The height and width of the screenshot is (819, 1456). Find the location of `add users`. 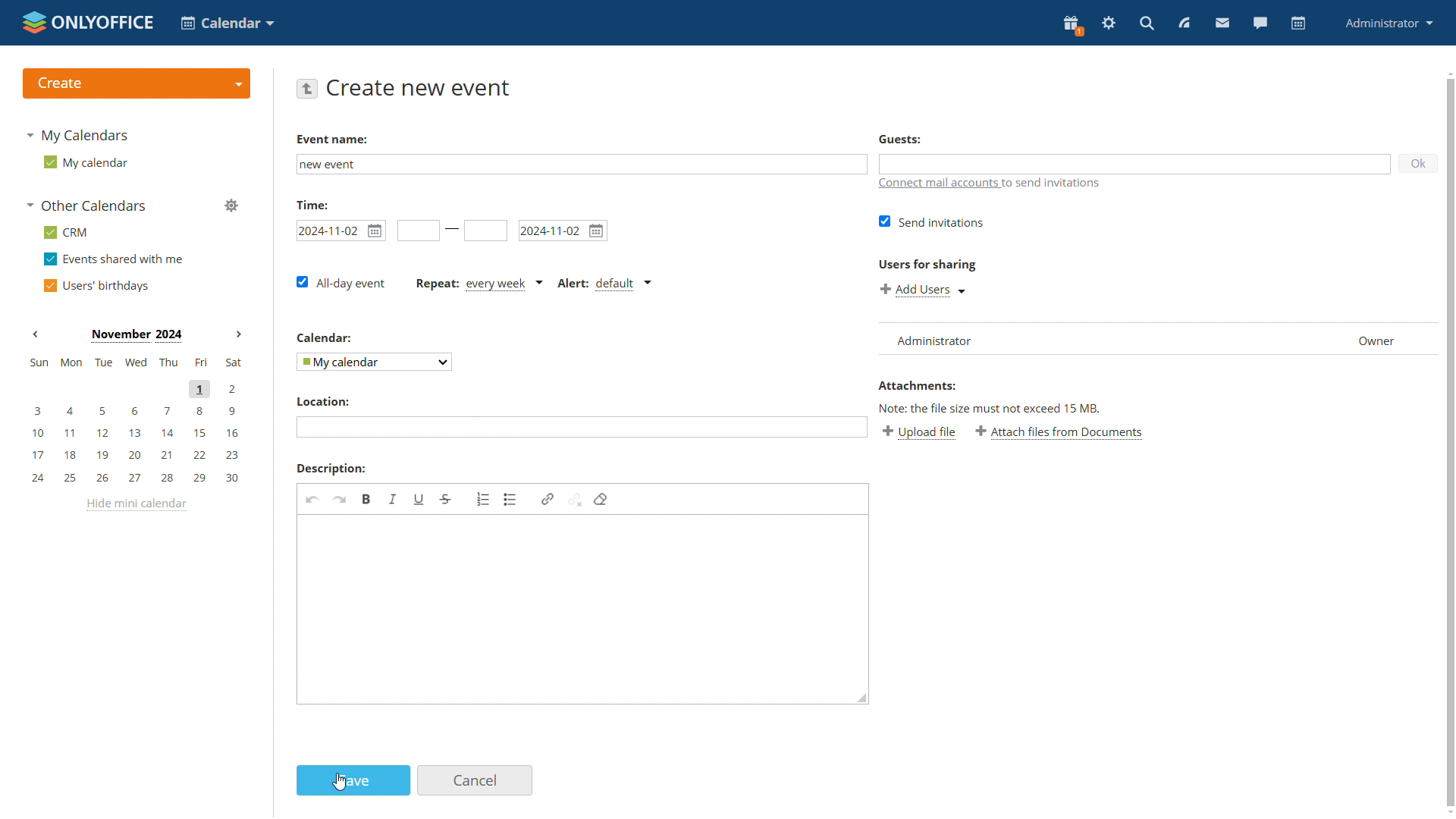

add users is located at coordinates (922, 288).